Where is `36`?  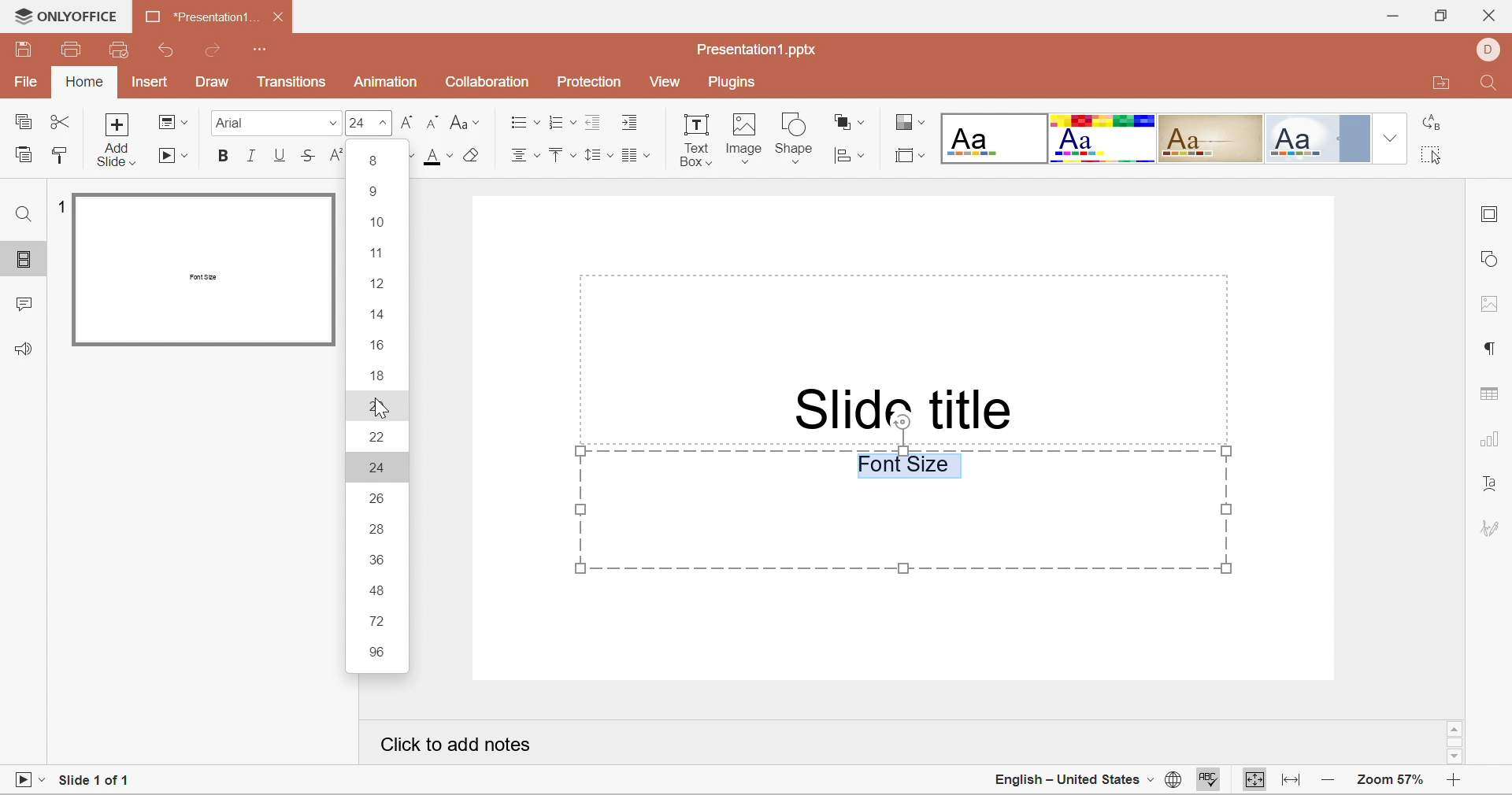
36 is located at coordinates (376, 557).